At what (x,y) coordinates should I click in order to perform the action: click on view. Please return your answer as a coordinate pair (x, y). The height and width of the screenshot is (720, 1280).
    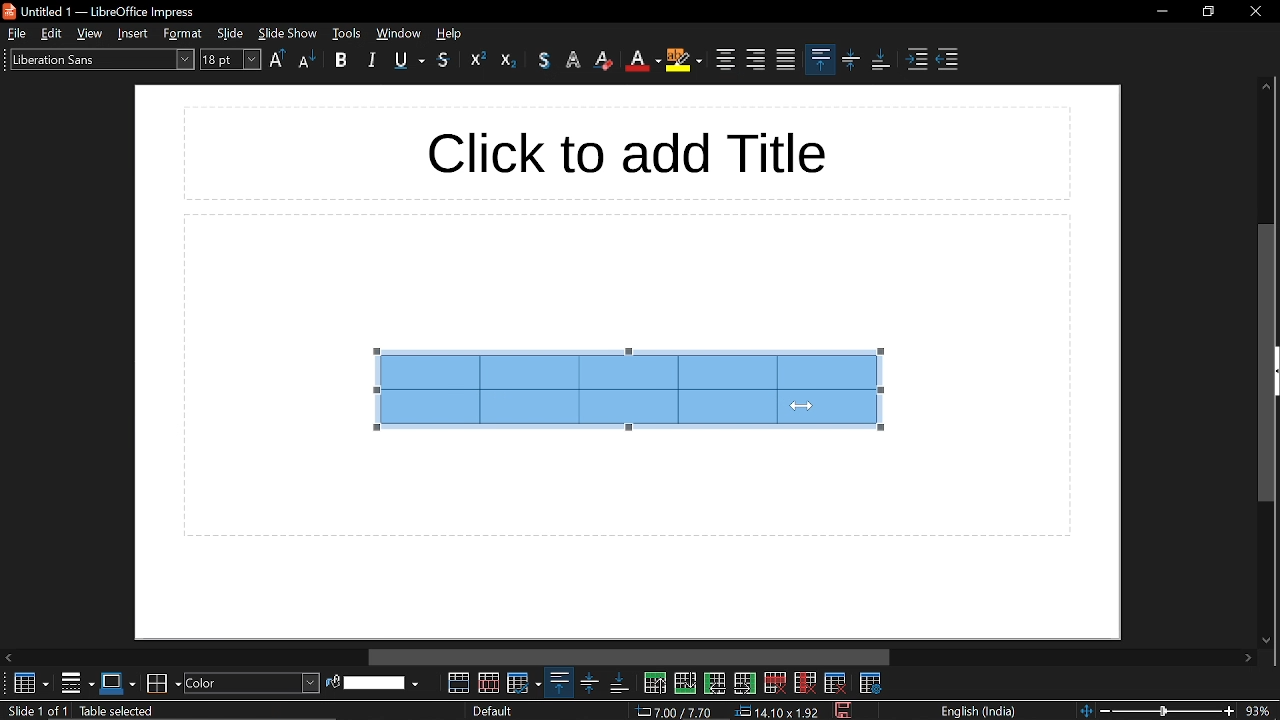
    Looking at the image, I should click on (91, 33).